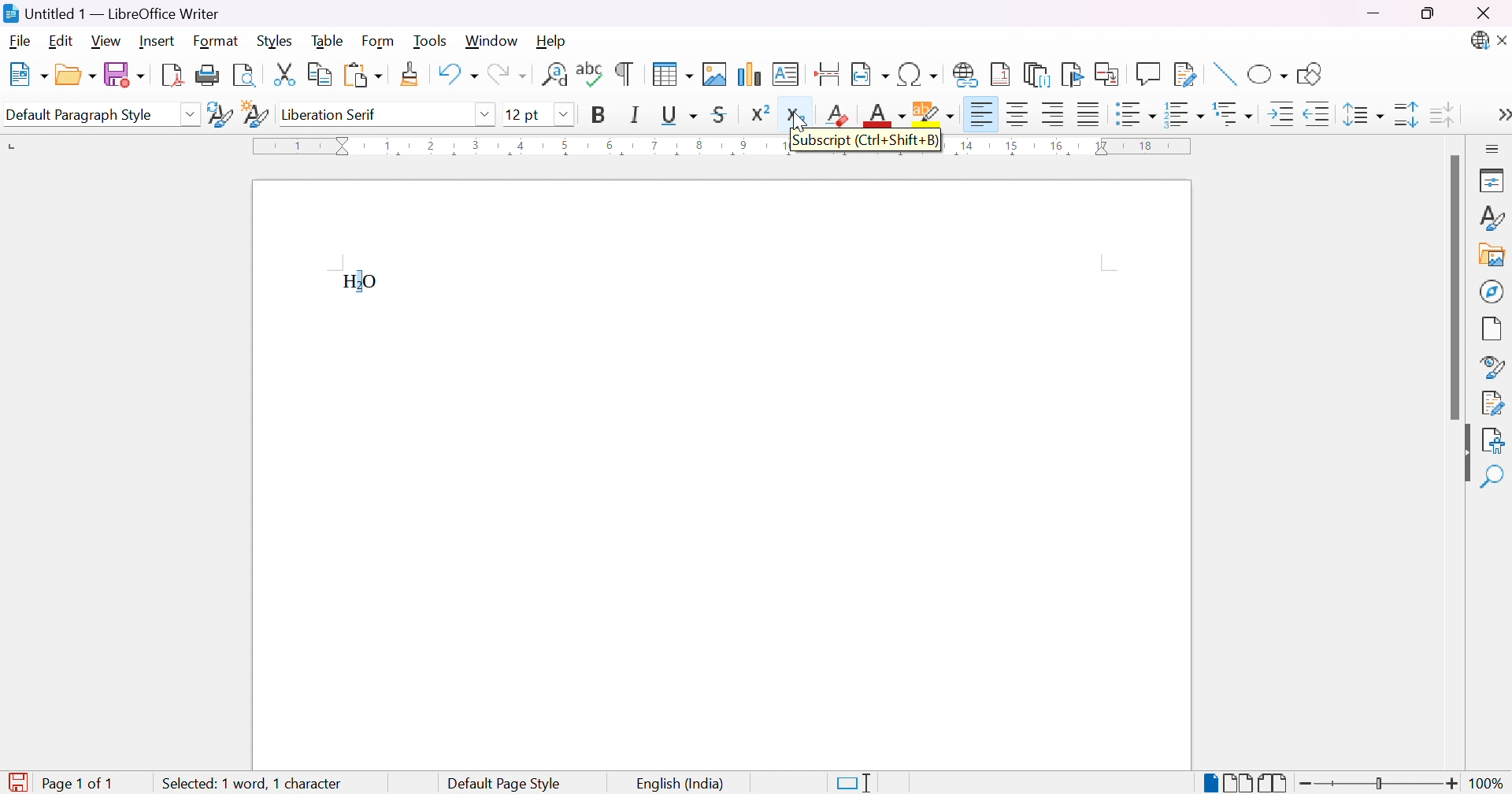 Image resolution: width=1512 pixels, height=794 pixels. What do you see at coordinates (246, 76) in the screenshot?
I see `Toggle print preview` at bounding box center [246, 76].